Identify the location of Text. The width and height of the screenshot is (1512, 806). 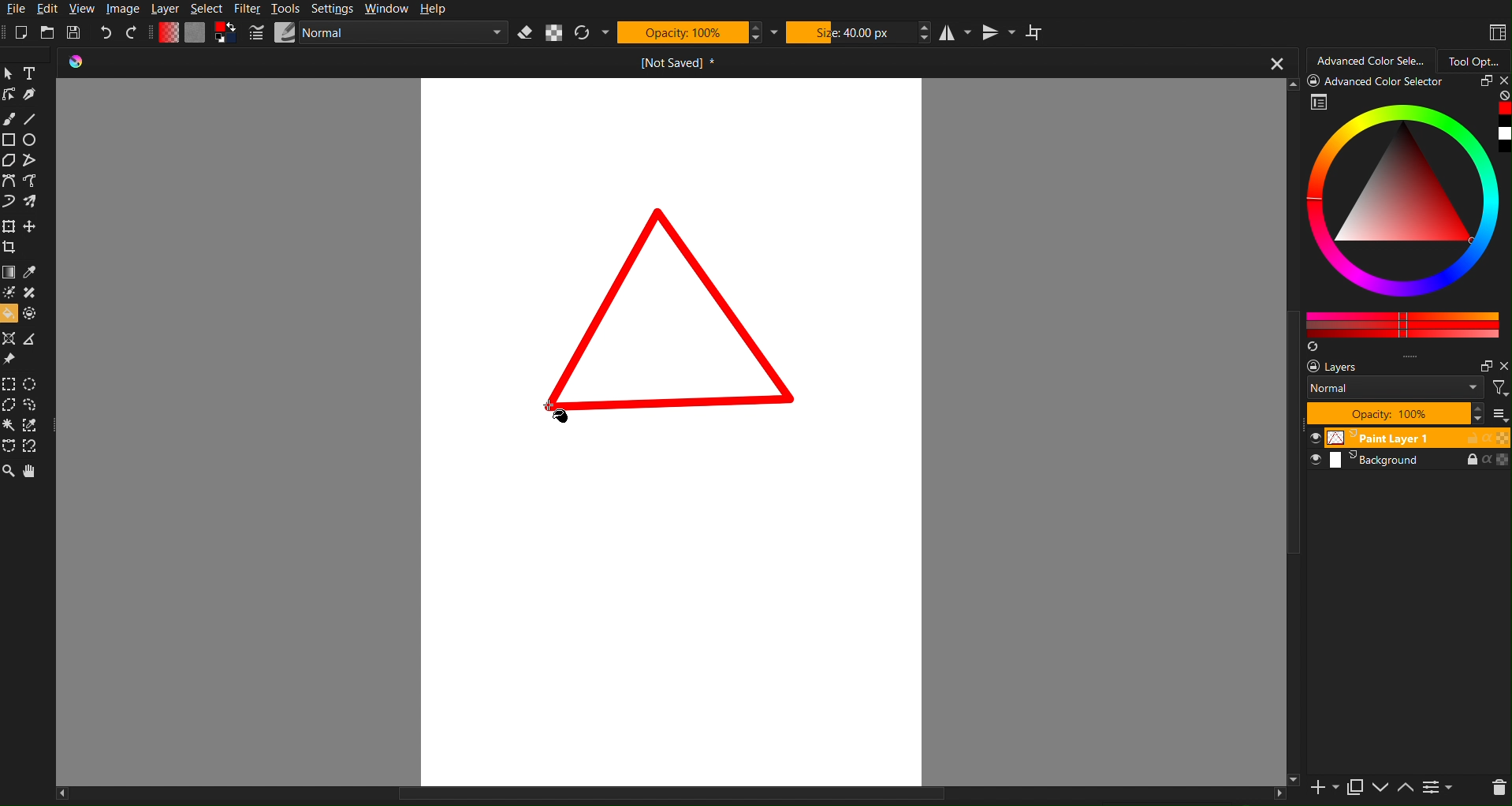
(29, 73).